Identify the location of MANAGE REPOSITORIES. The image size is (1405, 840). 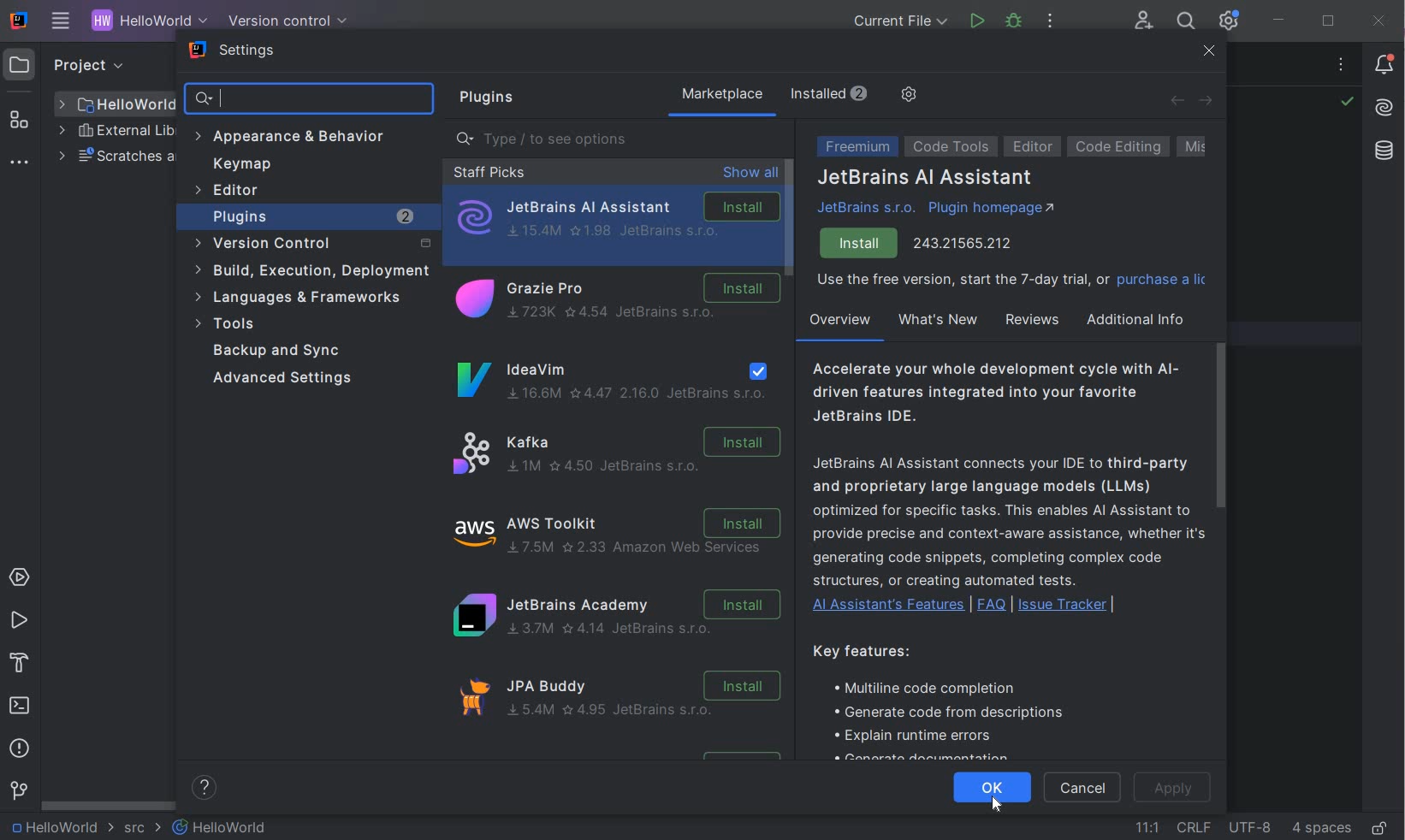
(907, 96).